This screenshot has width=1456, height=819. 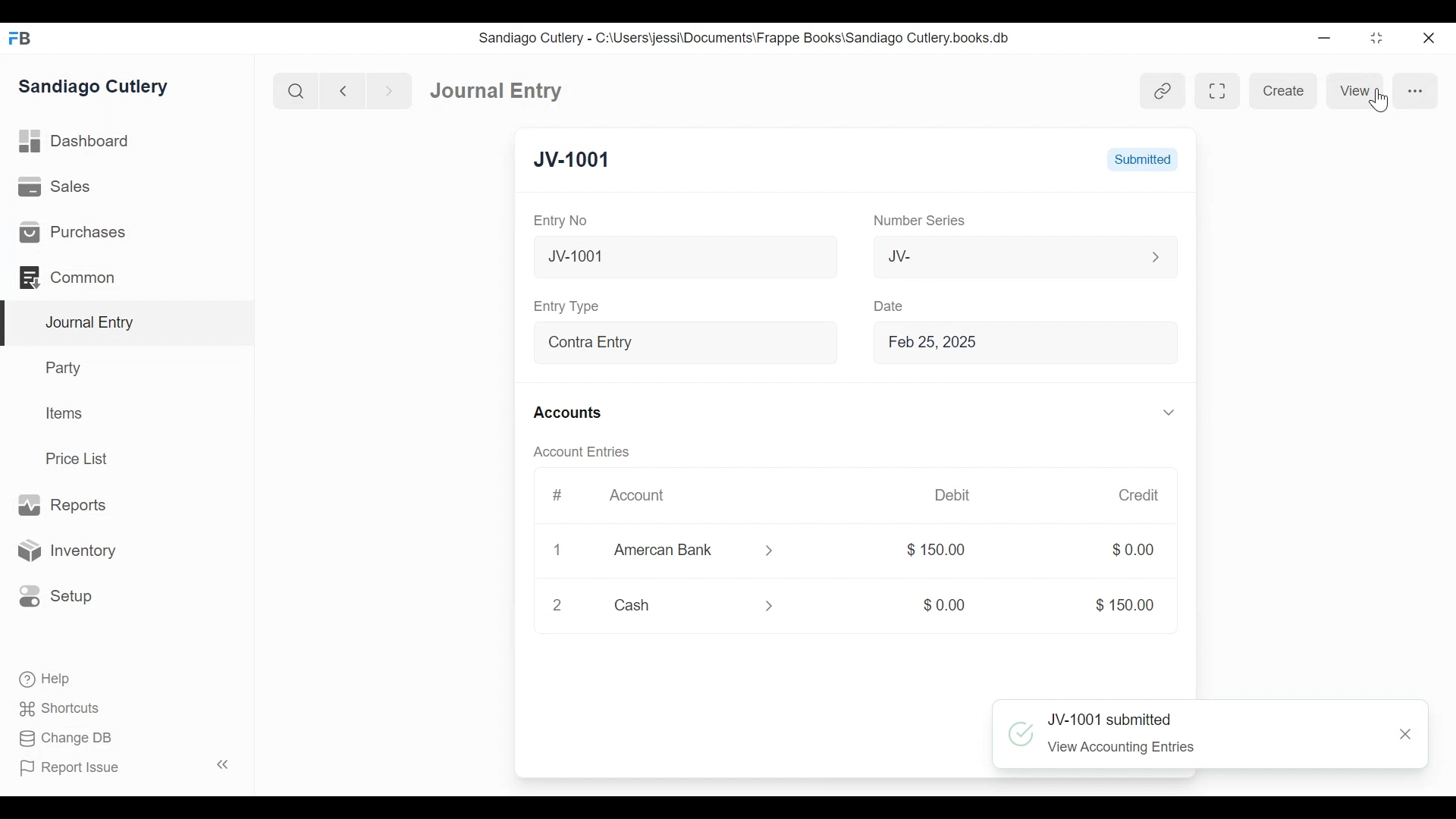 I want to click on Inventory, so click(x=64, y=551).